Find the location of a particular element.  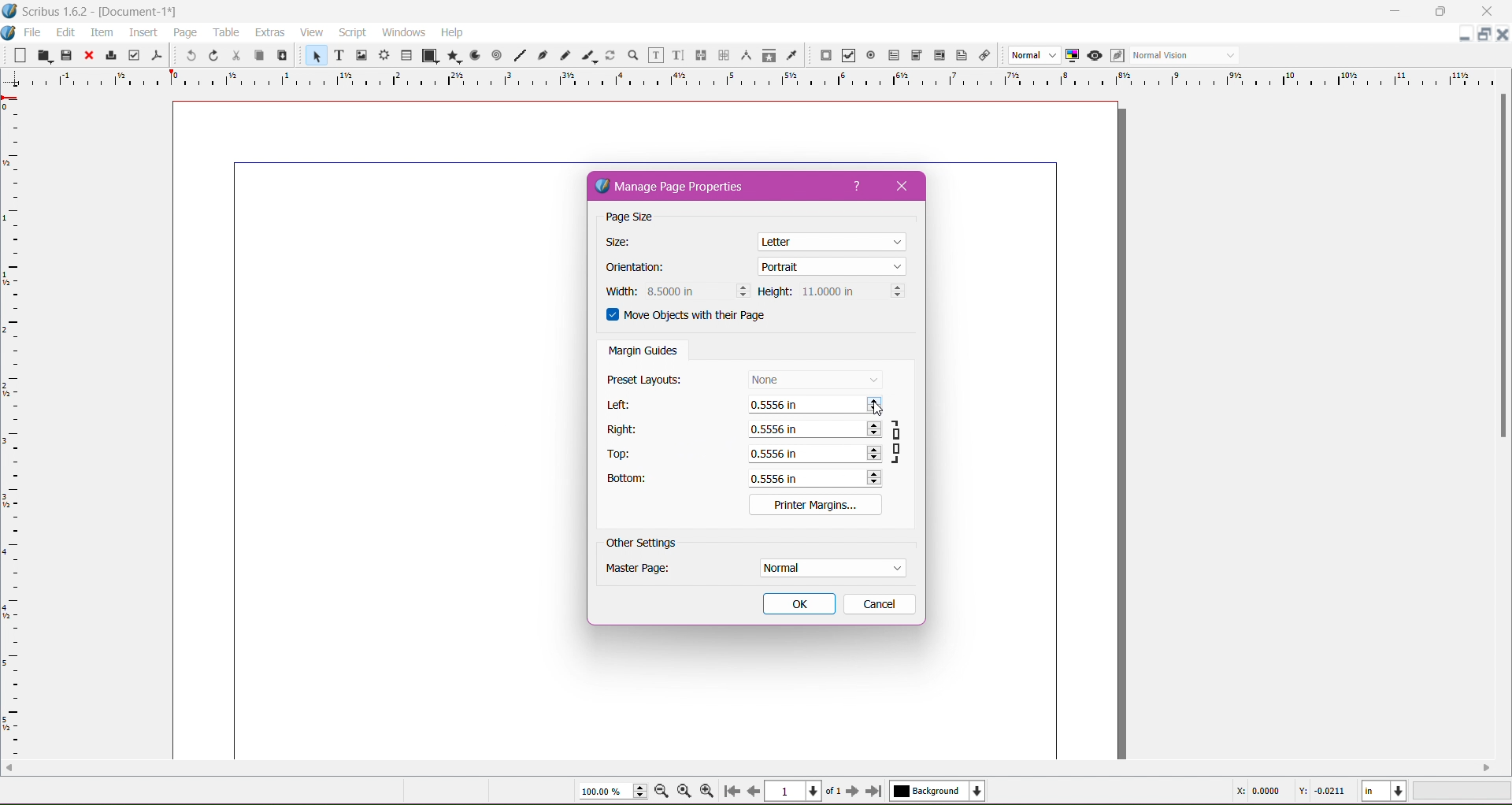

Vertical Scroll Bar is located at coordinates (1503, 269).